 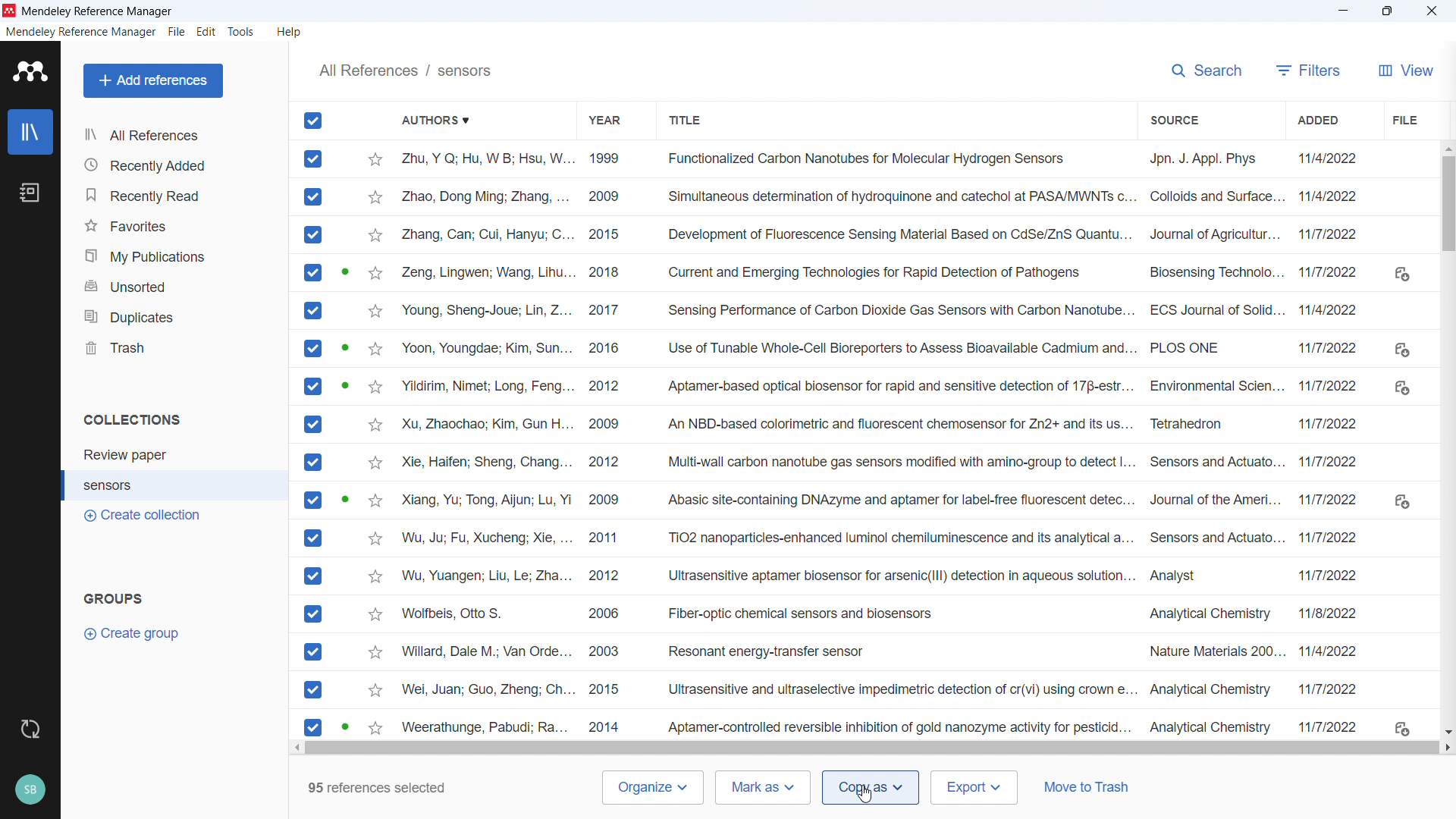 I want to click on my publications, so click(x=175, y=253).